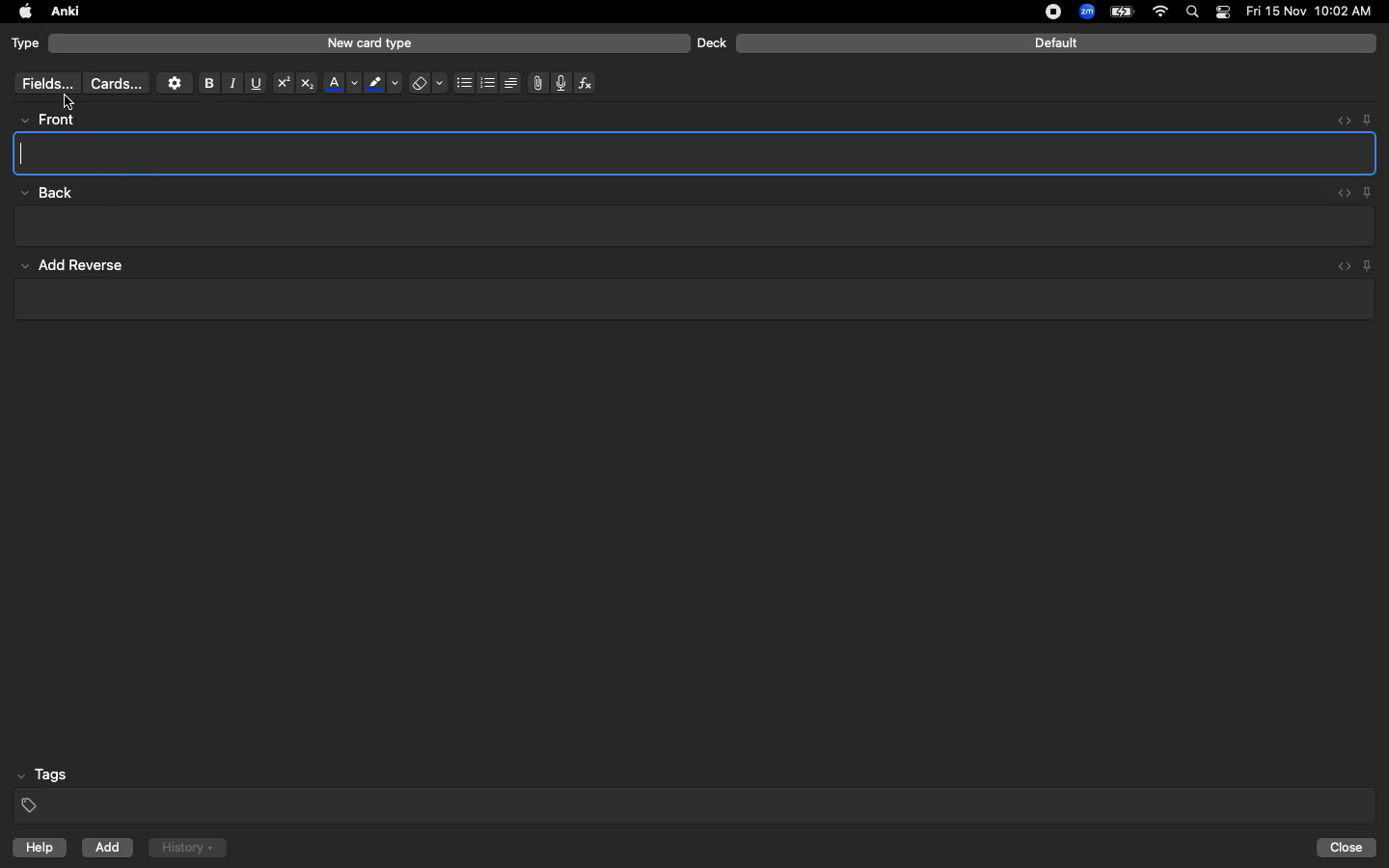 The image size is (1389, 868). I want to click on Default, so click(1056, 43).